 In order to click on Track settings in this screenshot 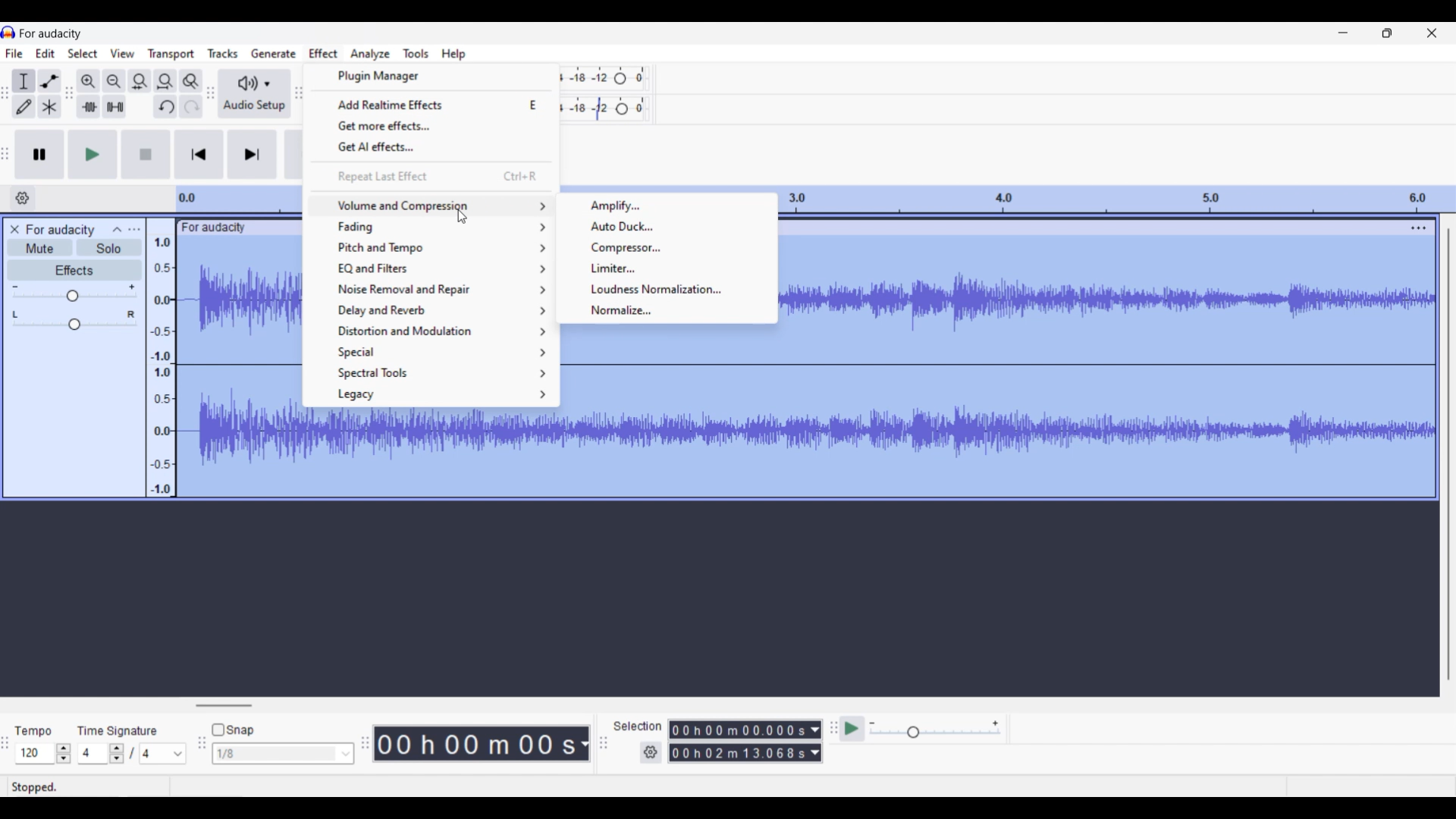, I will do `click(1419, 227)`.